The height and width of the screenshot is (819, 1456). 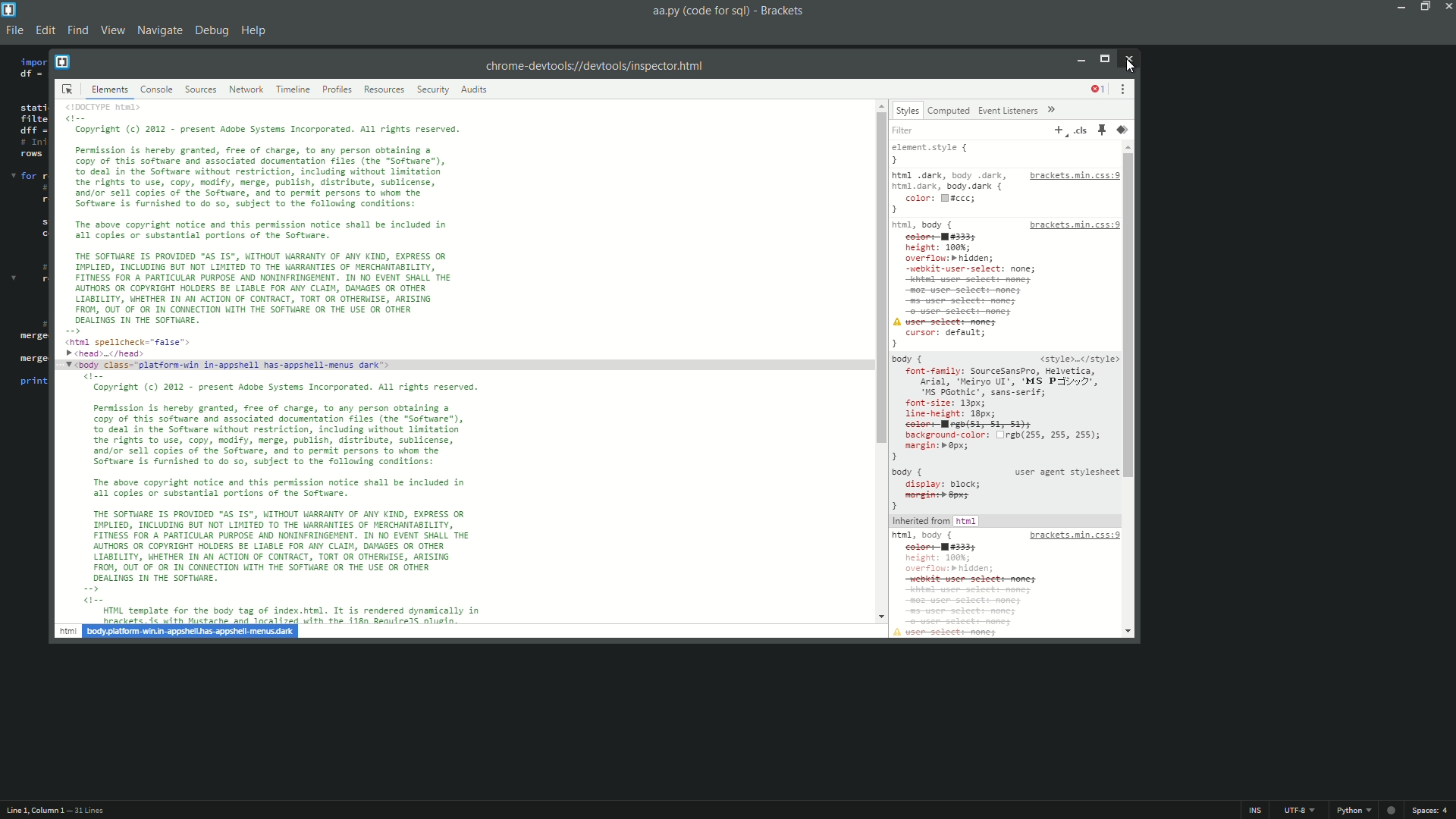 I want to click on file, so click(x=13, y=32).